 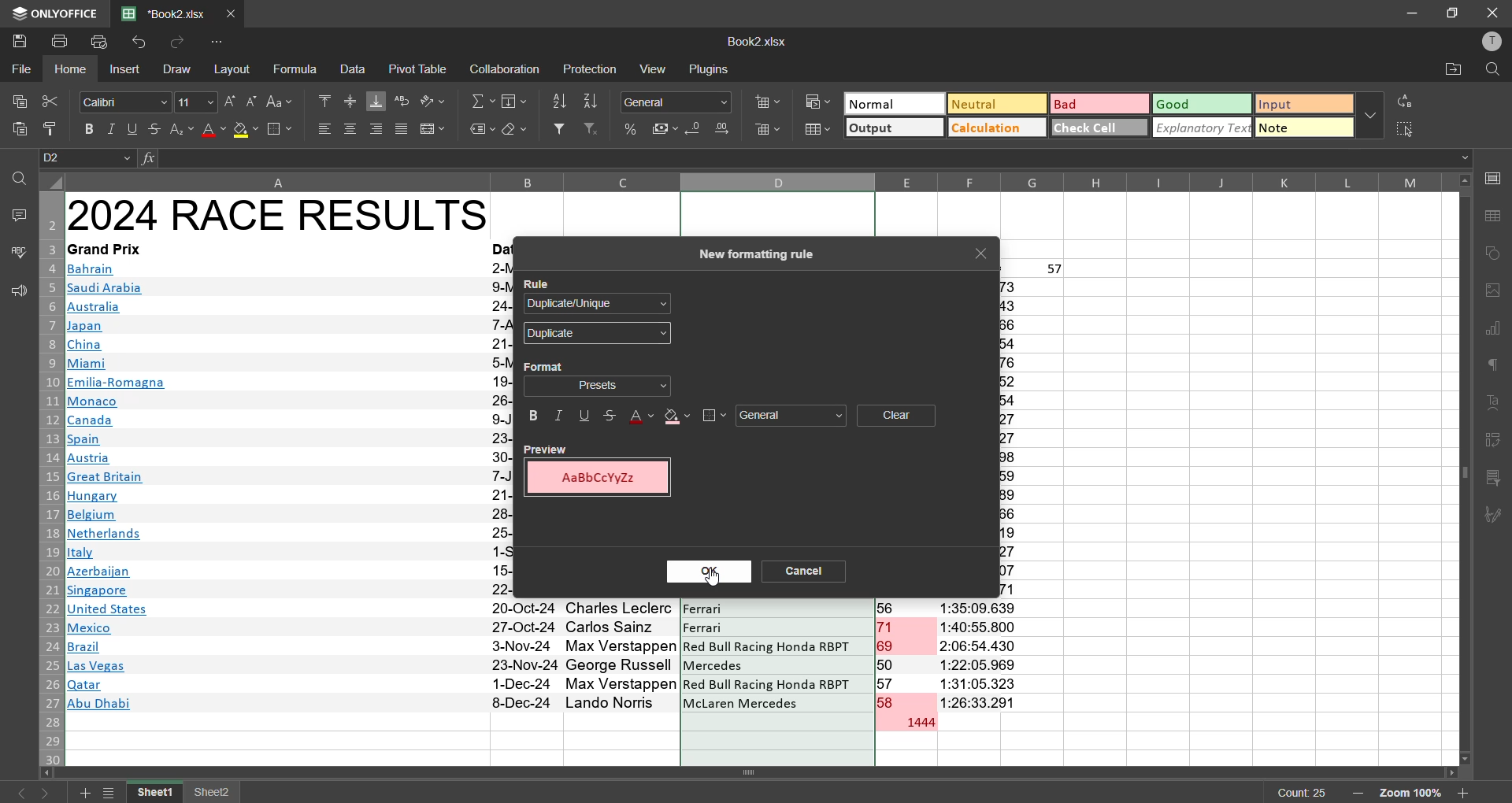 I want to click on wrap text, so click(x=402, y=102).